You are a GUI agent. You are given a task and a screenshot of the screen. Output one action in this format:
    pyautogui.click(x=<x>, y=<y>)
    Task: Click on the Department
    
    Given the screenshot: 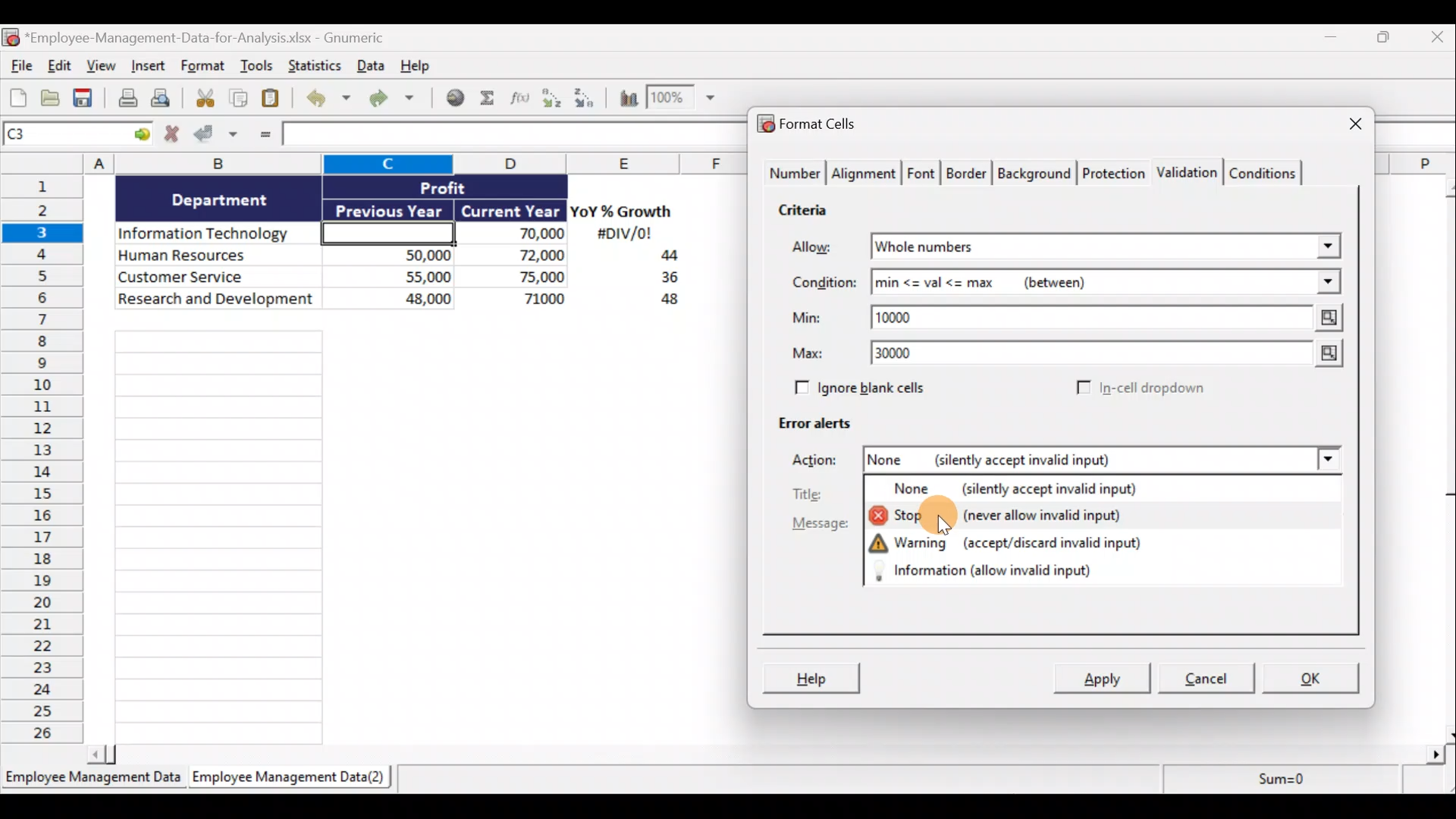 What is the action you would take?
    pyautogui.click(x=220, y=199)
    